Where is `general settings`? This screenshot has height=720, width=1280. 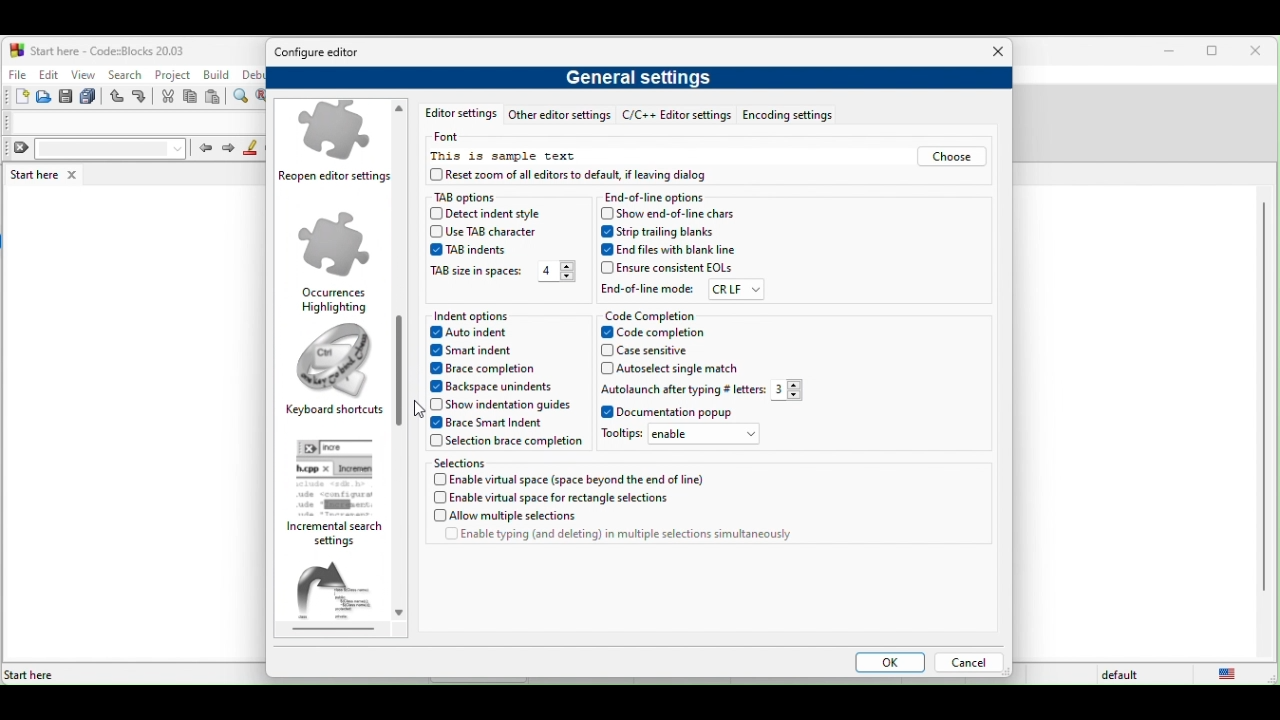 general settings is located at coordinates (643, 81).